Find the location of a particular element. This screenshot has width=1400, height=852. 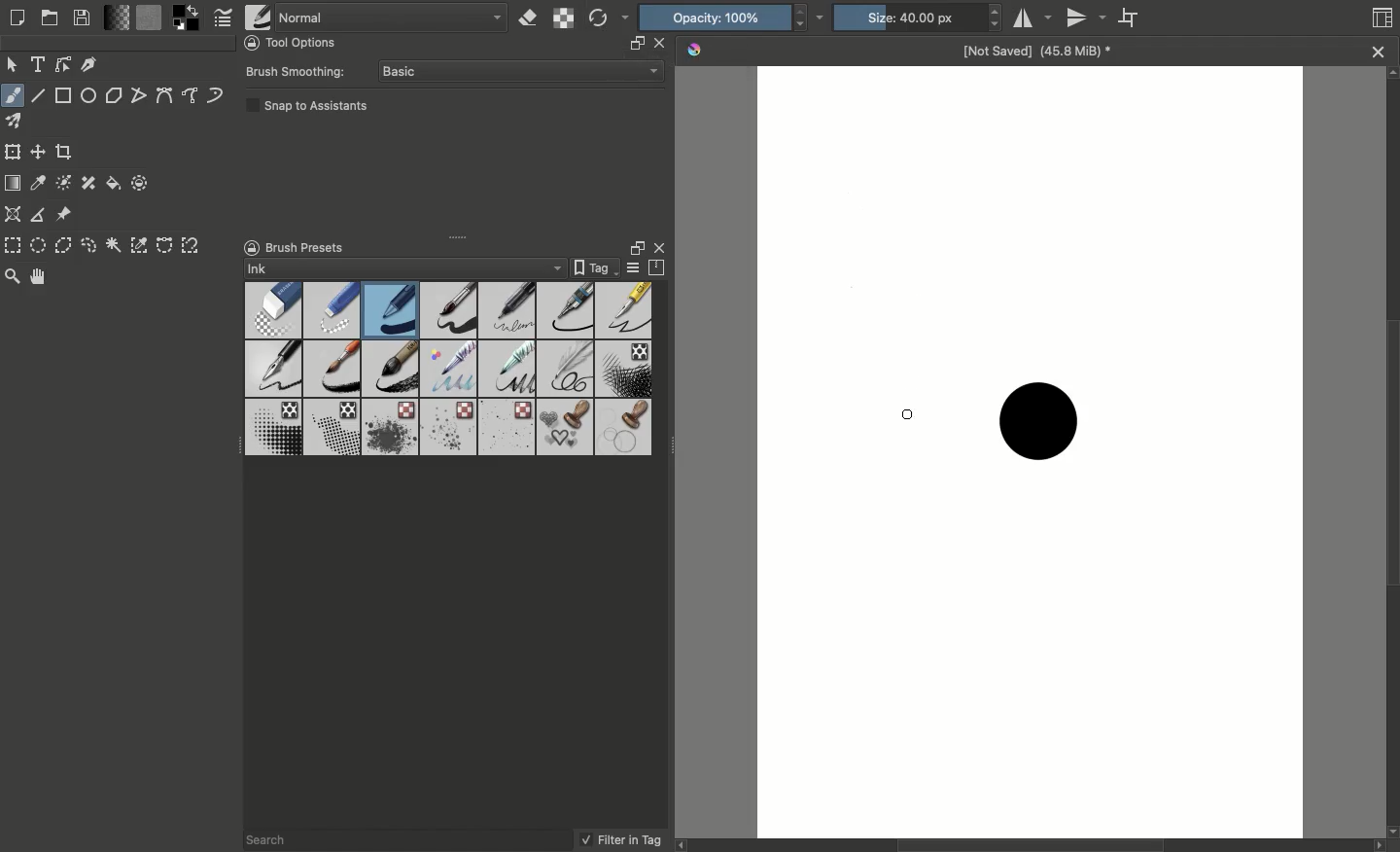

Zoom is located at coordinates (14, 277).